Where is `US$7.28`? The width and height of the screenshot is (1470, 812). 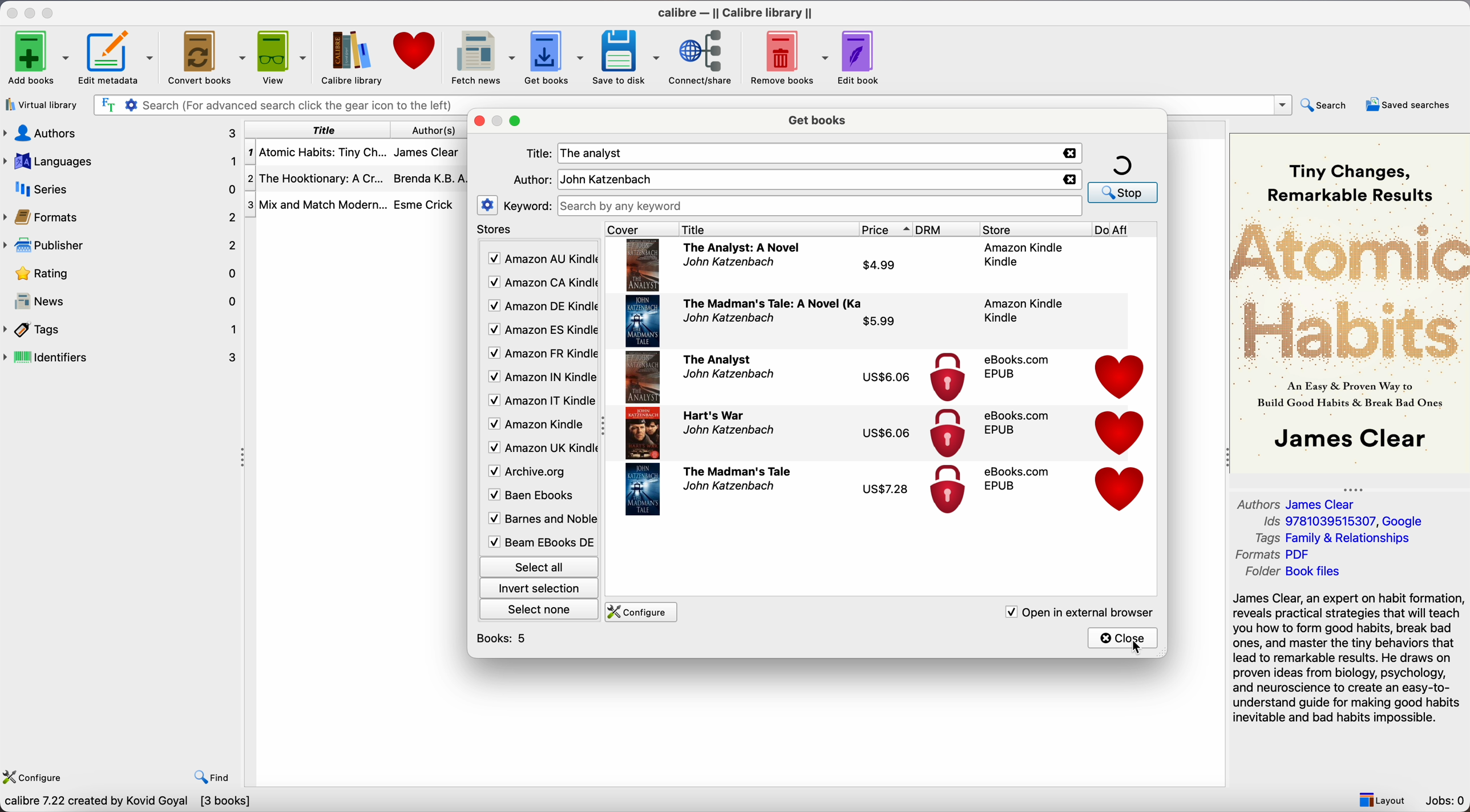 US$7.28 is located at coordinates (891, 491).